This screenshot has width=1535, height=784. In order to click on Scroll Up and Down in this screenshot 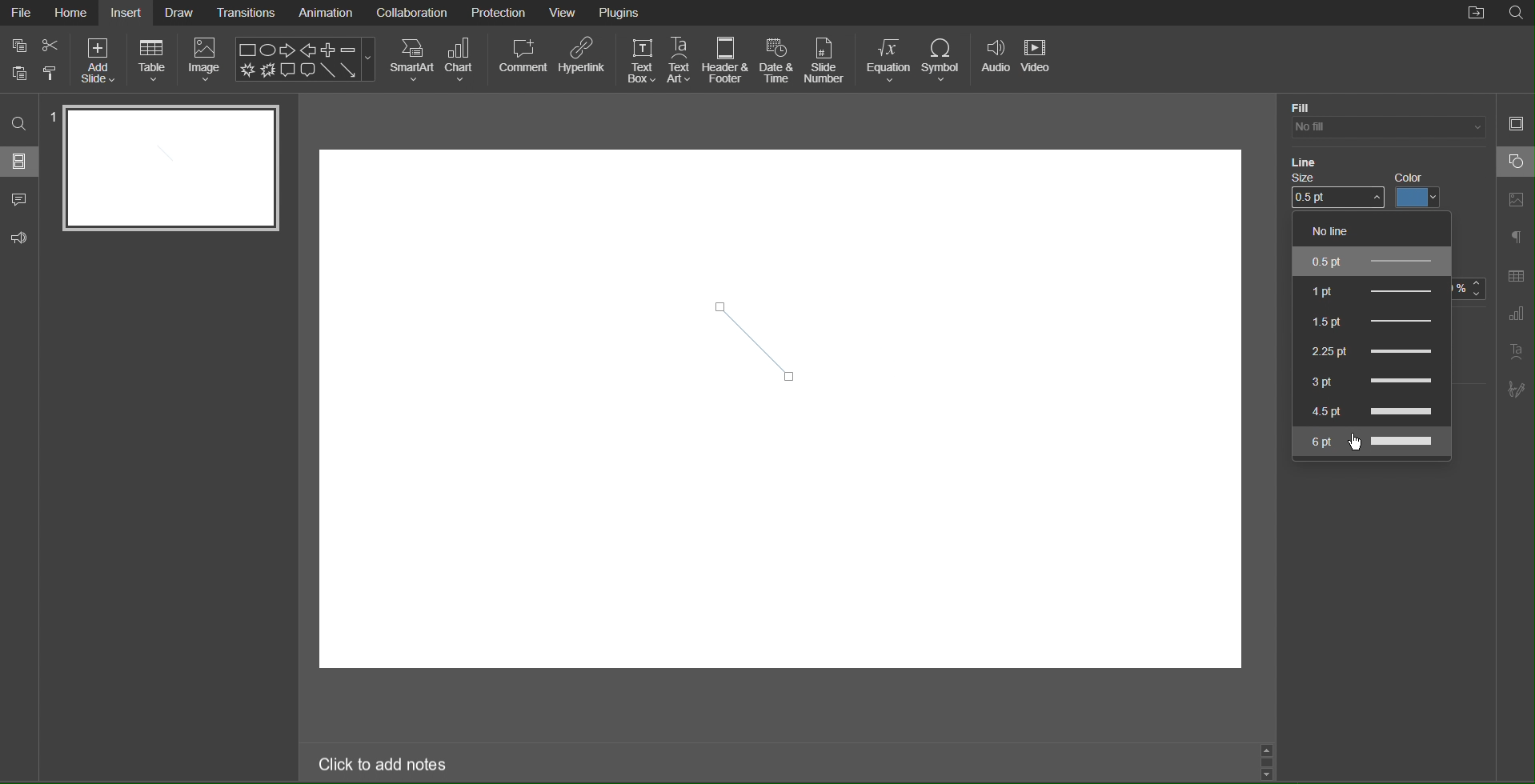, I will do `click(1270, 762)`.